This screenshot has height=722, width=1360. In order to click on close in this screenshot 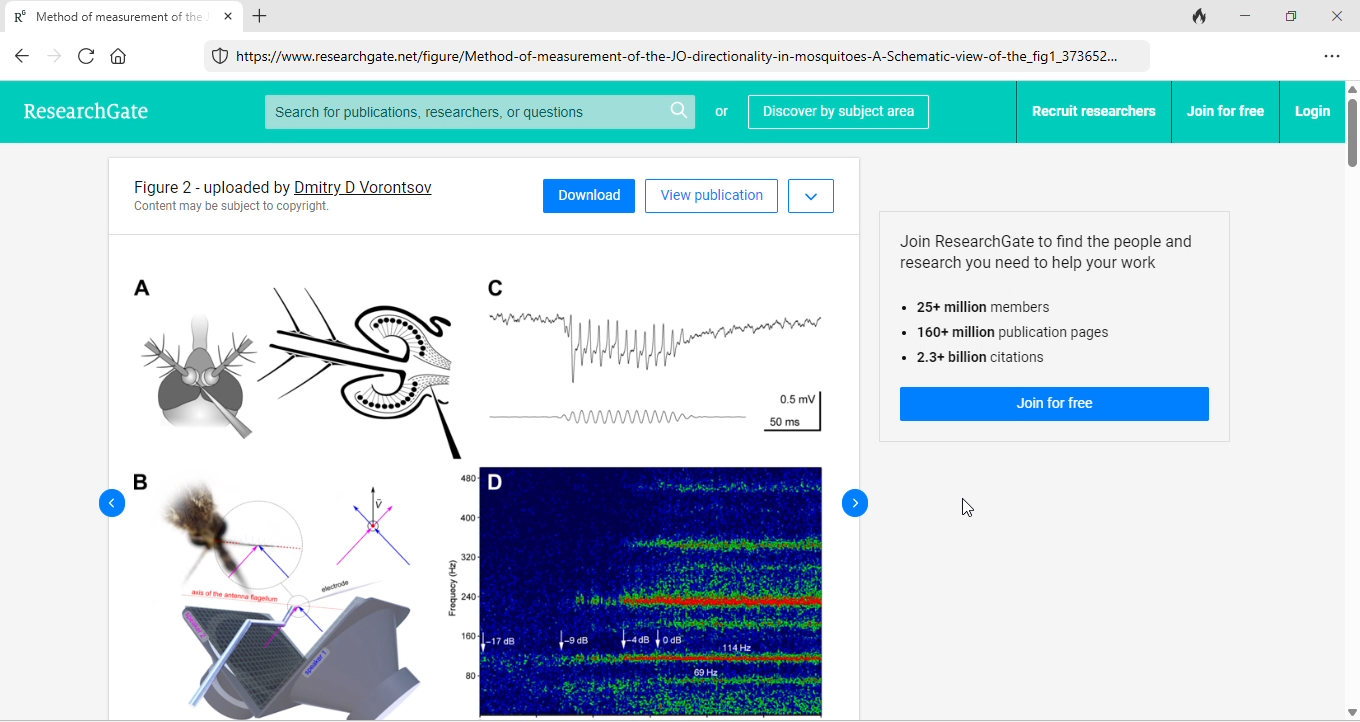, I will do `click(1341, 16)`.